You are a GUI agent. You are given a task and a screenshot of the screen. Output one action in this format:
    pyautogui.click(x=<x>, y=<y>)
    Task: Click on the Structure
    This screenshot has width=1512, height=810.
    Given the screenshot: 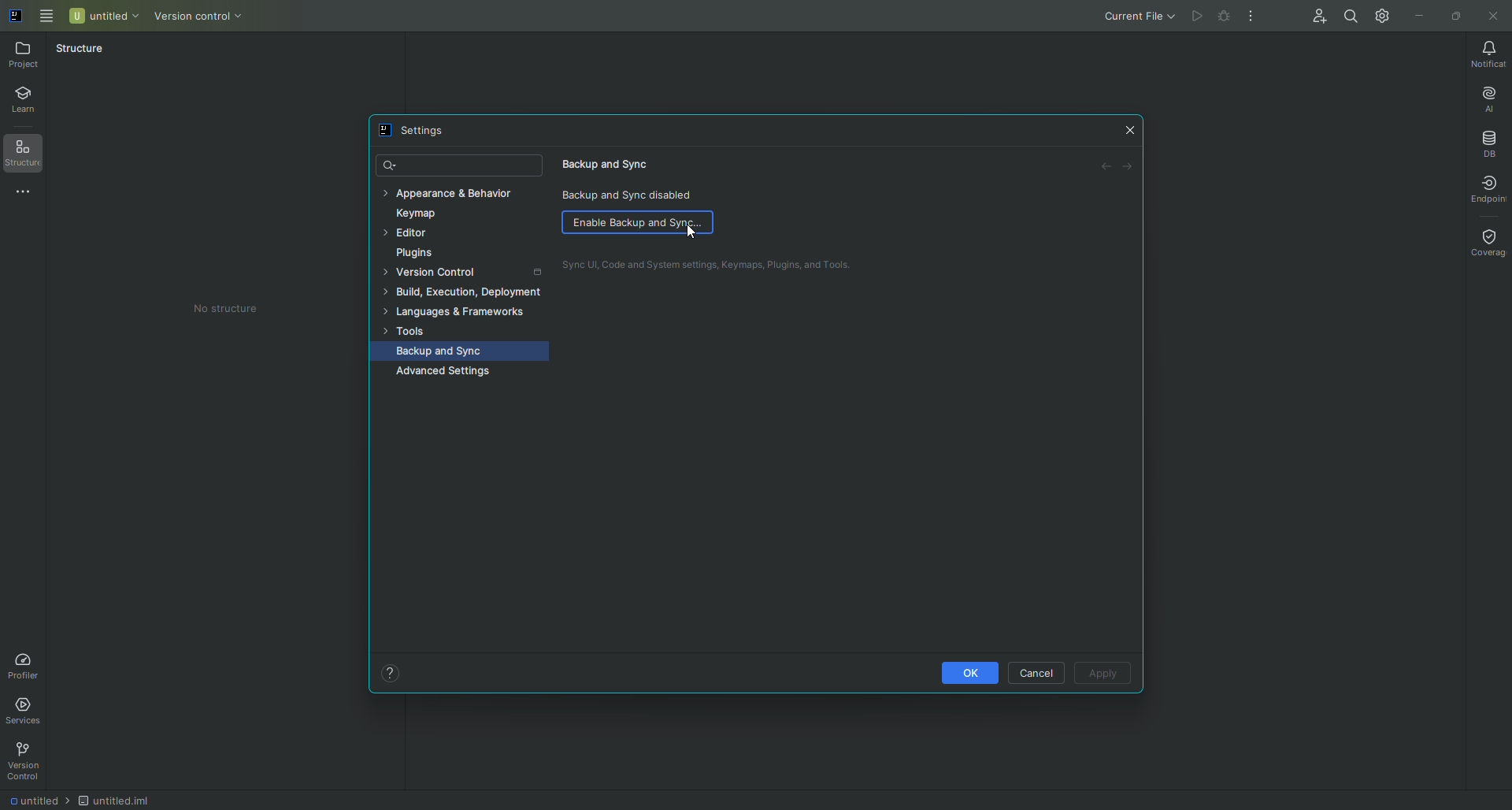 What is the action you would take?
    pyautogui.click(x=80, y=48)
    